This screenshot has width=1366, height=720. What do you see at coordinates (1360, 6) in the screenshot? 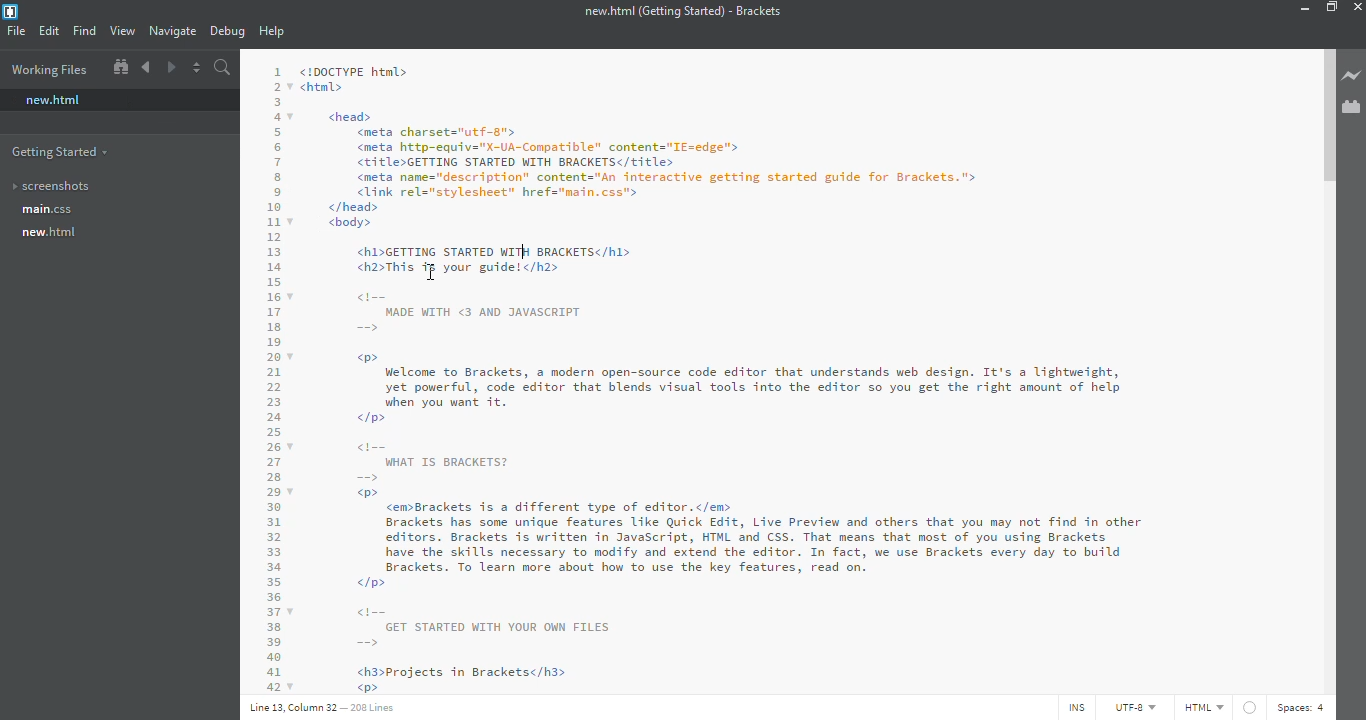
I see `close` at bounding box center [1360, 6].